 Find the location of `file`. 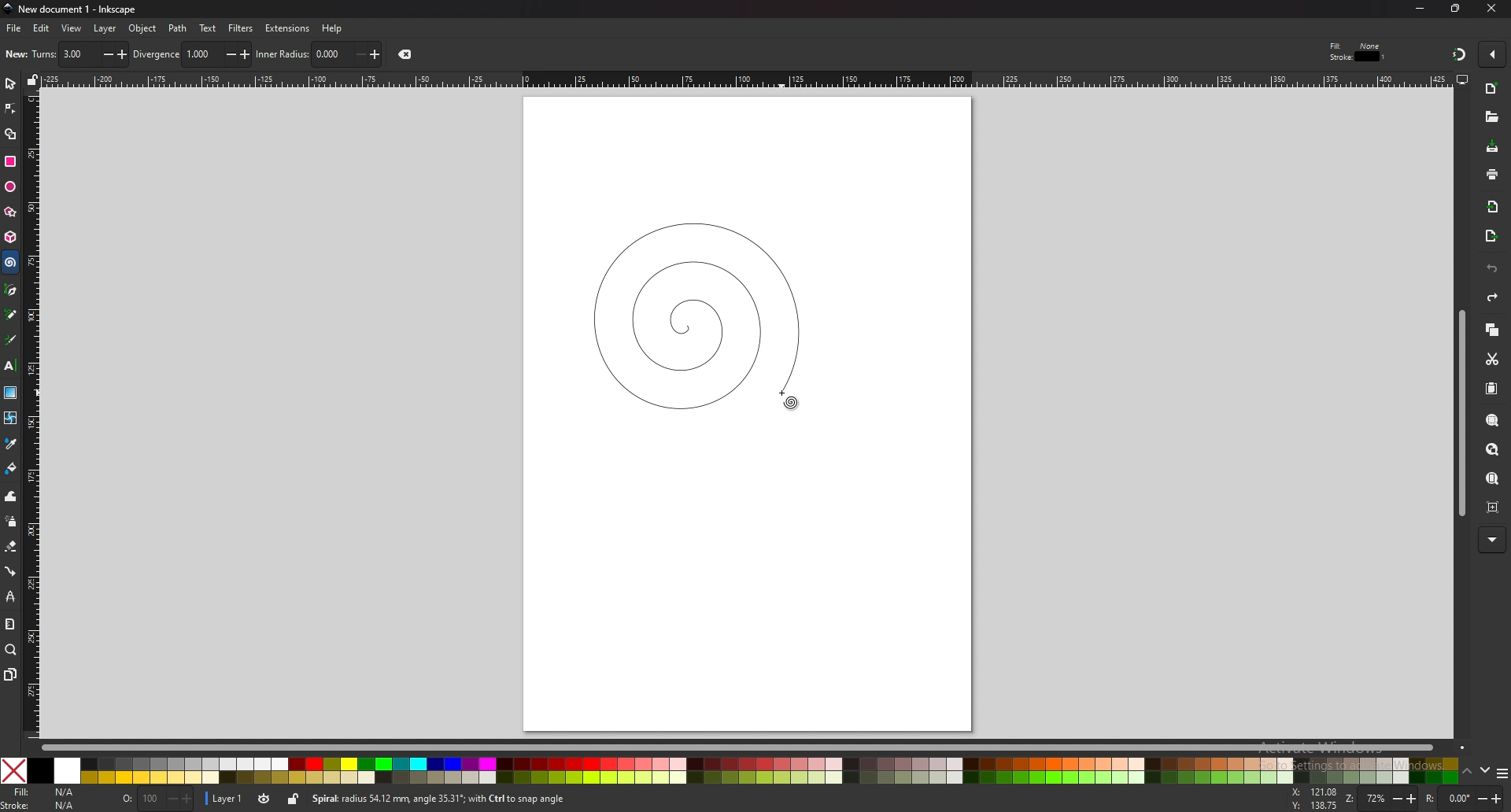

file is located at coordinates (14, 29).